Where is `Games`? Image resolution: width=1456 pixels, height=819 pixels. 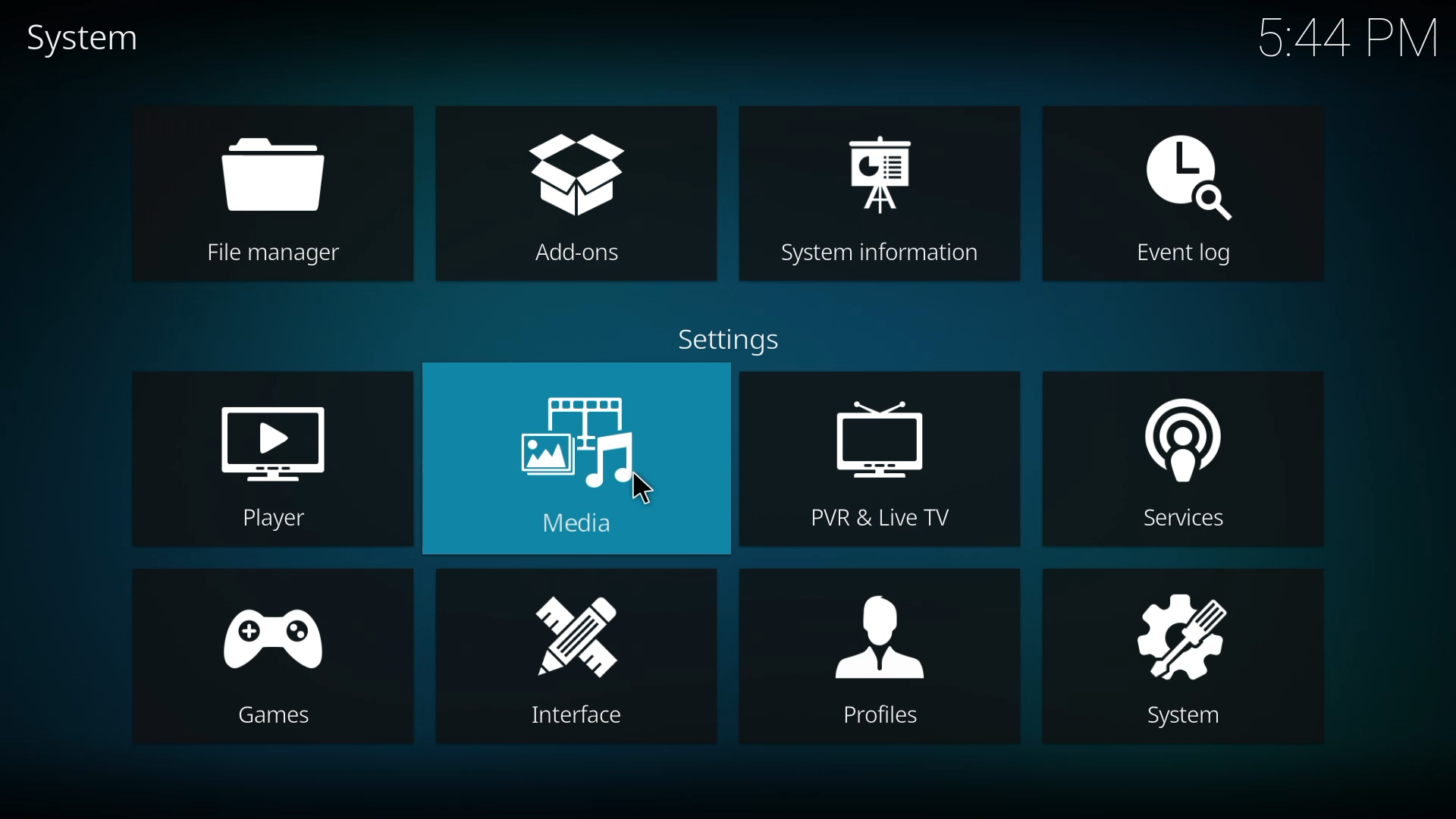
Games is located at coordinates (275, 717).